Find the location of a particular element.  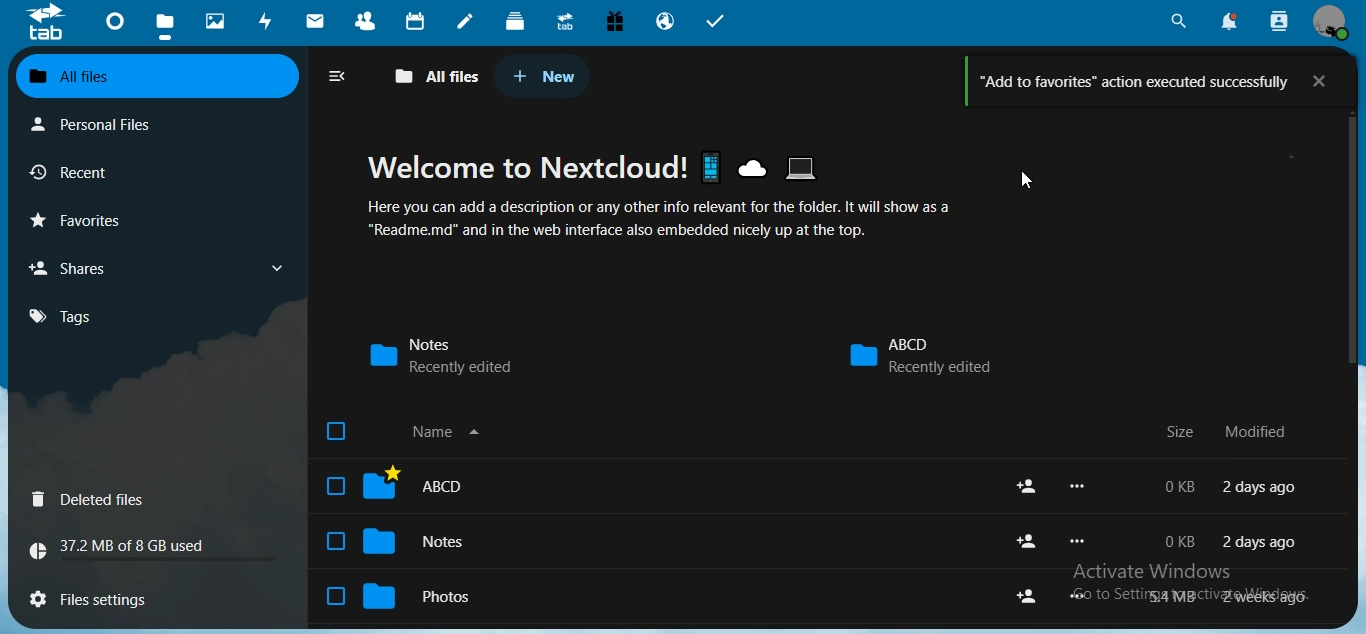

contacts is located at coordinates (365, 20).